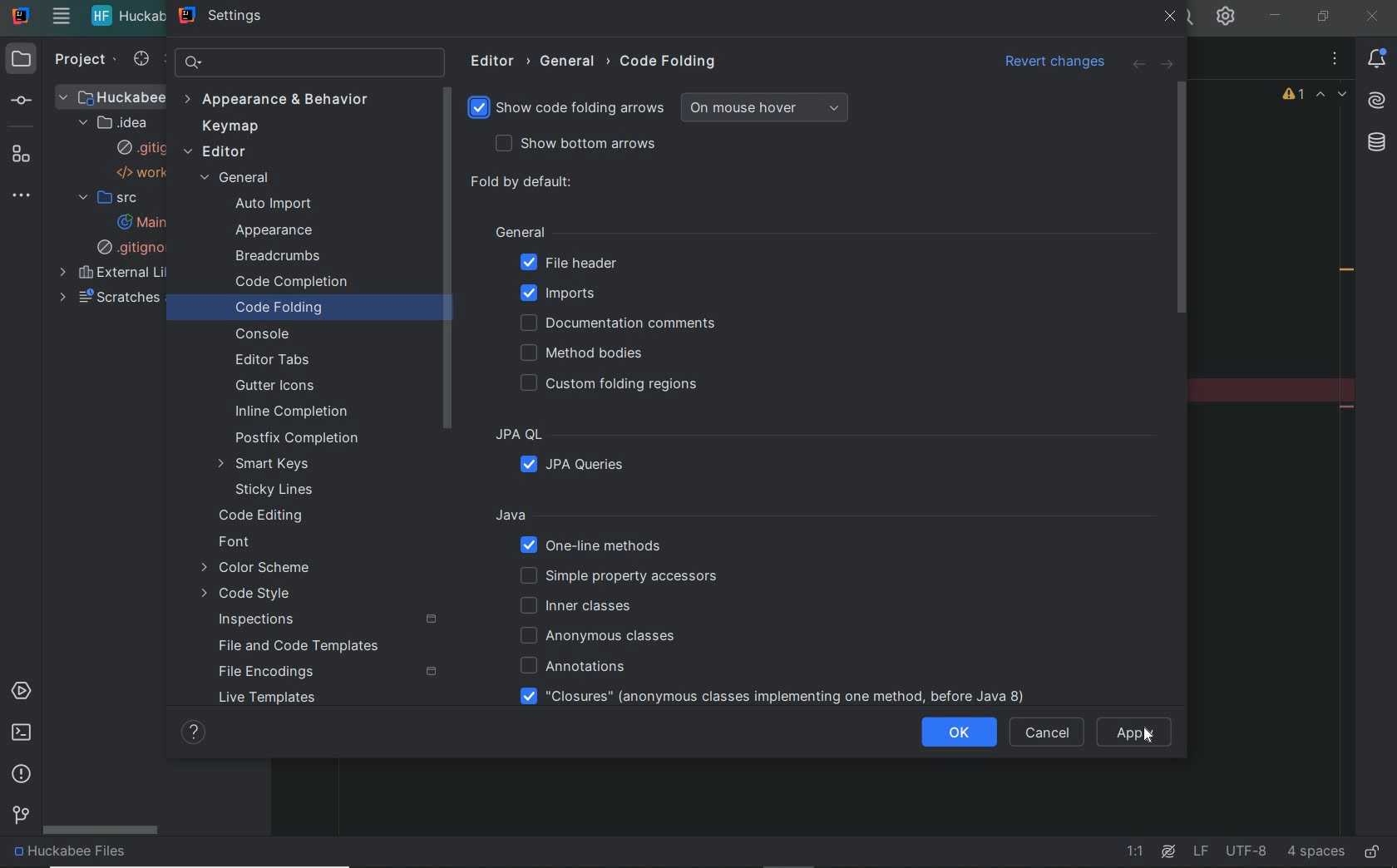 This screenshot has width=1397, height=868. What do you see at coordinates (289, 282) in the screenshot?
I see `code completion` at bounding box center [289, 282].